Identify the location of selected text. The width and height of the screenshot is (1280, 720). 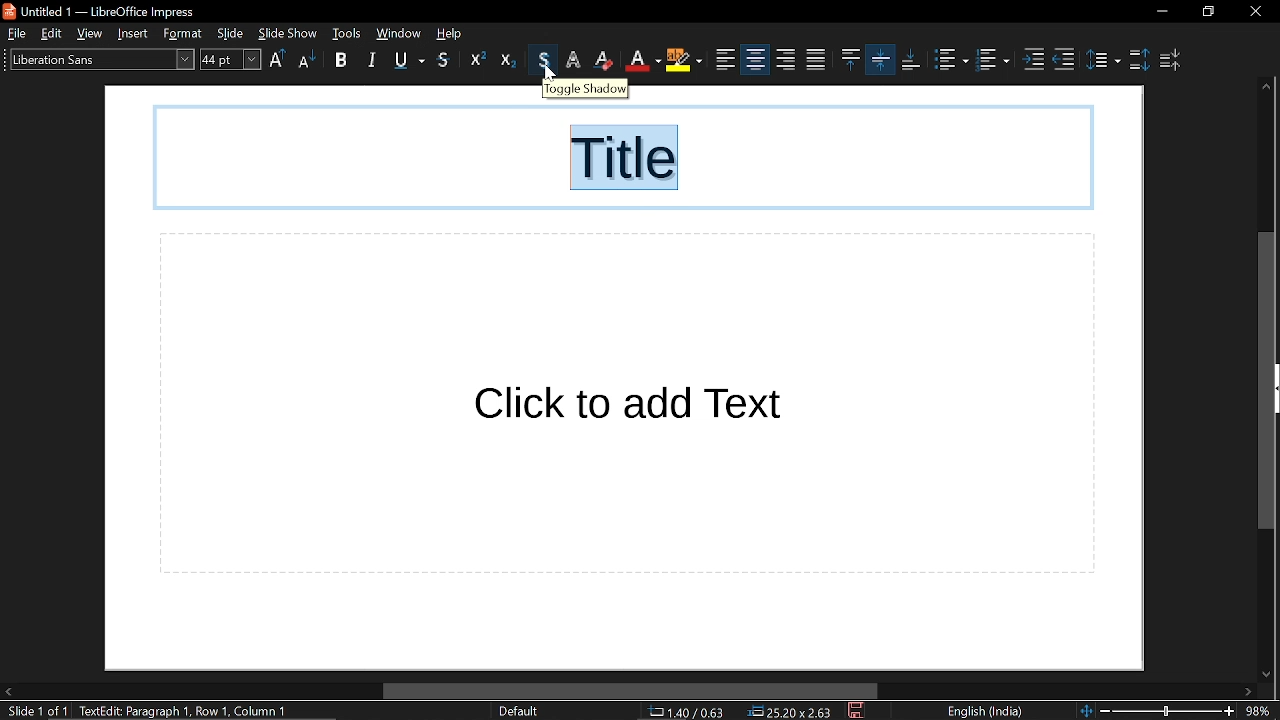
(627, 160).